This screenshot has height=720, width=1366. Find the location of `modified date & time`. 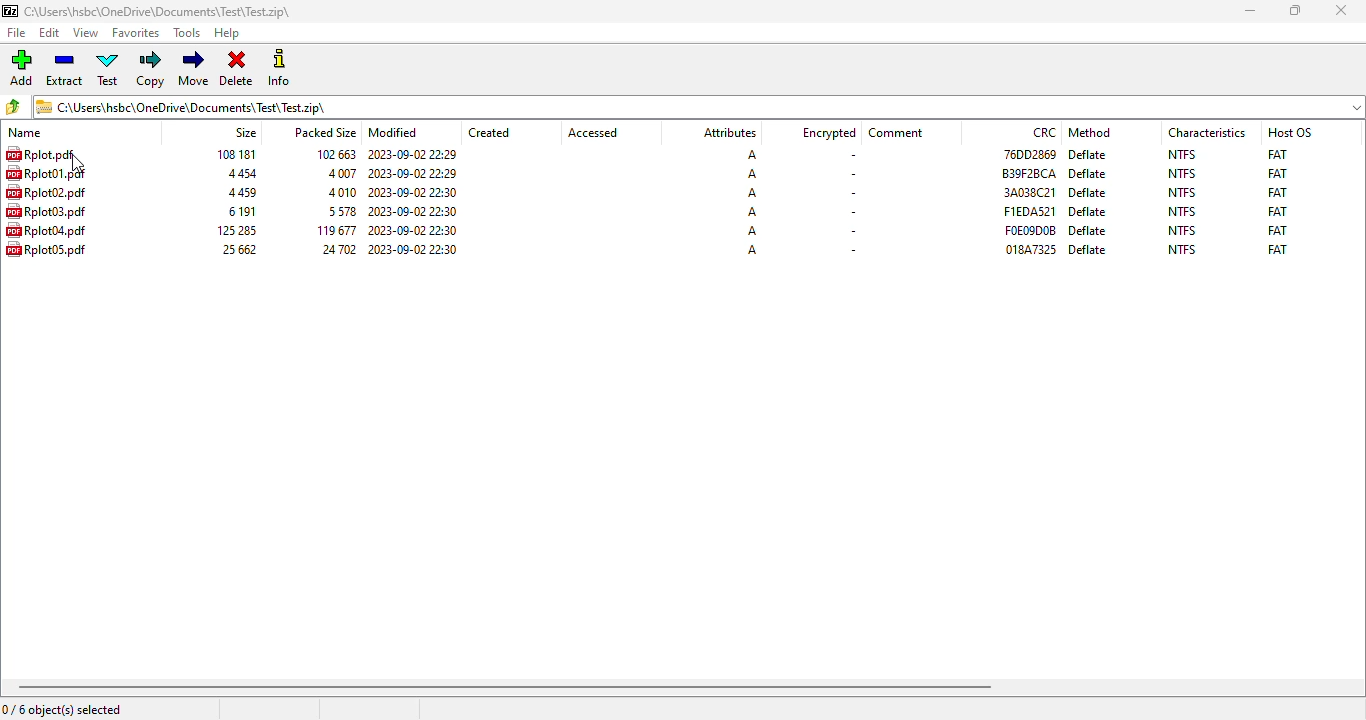

modified date & time is located at coordinates (414, 211).